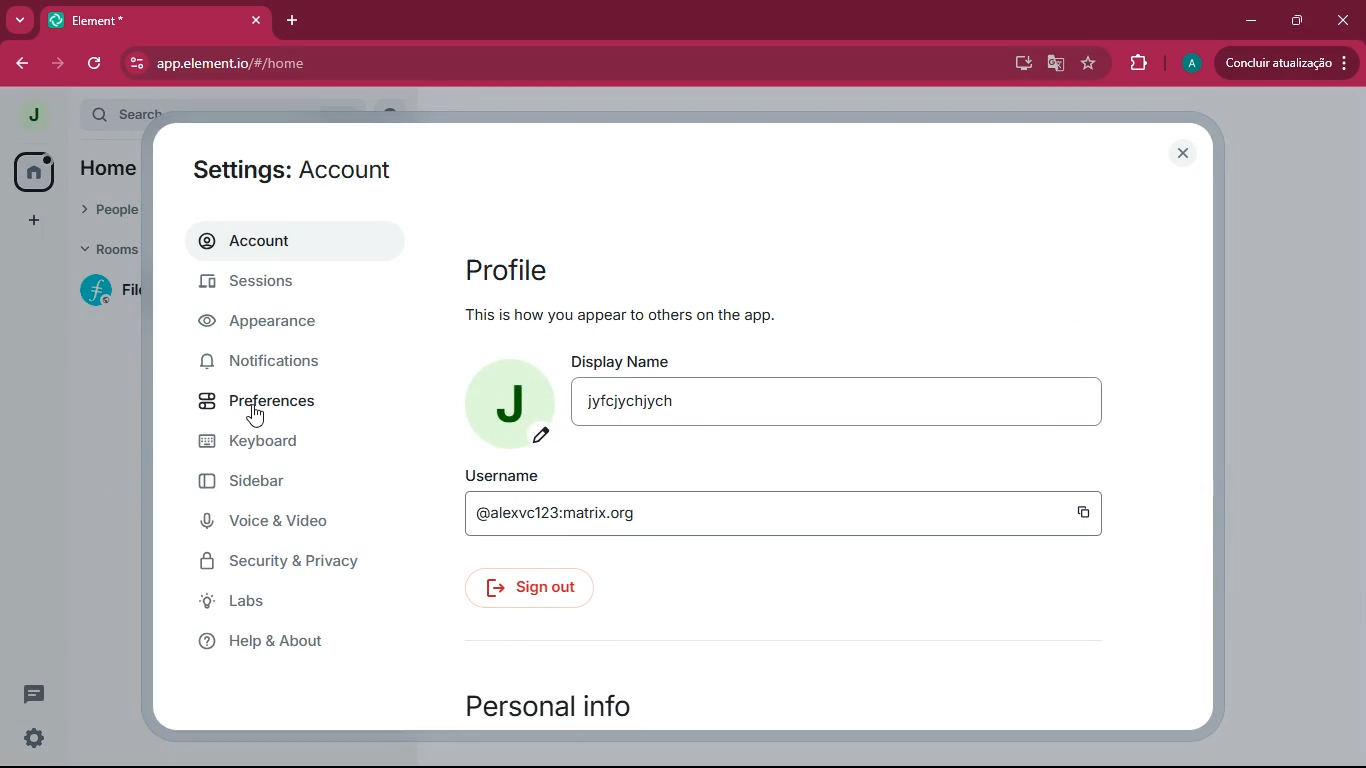 The height and width of the screenshot is (768, 1366). I want to click on threads, so click(34, 694).